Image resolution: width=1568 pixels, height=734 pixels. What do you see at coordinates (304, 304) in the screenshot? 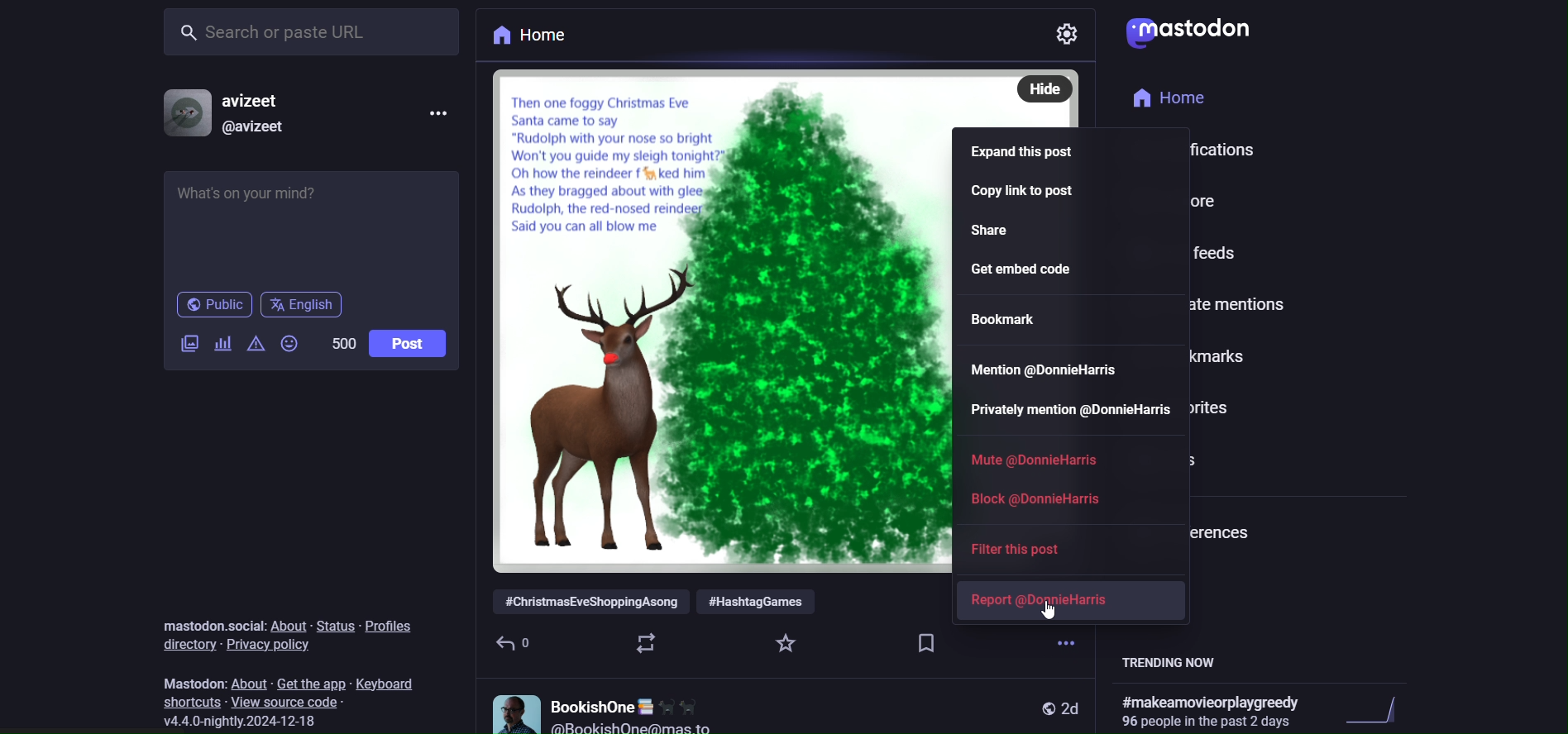
I see `english` at bounding box center [304, 304].